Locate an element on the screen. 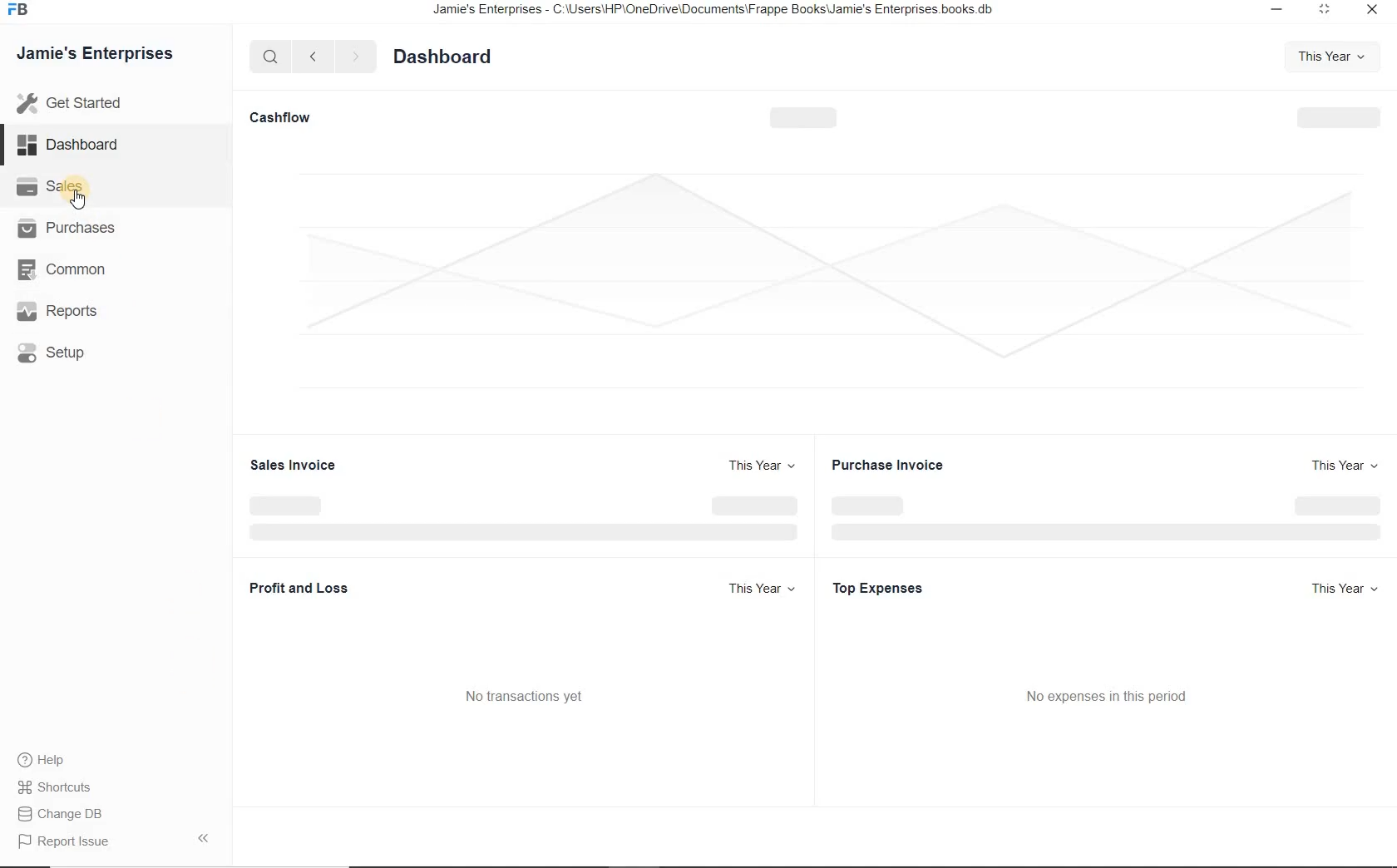 Image resolution: width=1397 pixels, height=868 pixels. Jamie's Enterprises - C:\Users\HP\OneDrive\Documents\Frappe Books\Jamie's Enterprises books.db is located at coordinates (718, 11).